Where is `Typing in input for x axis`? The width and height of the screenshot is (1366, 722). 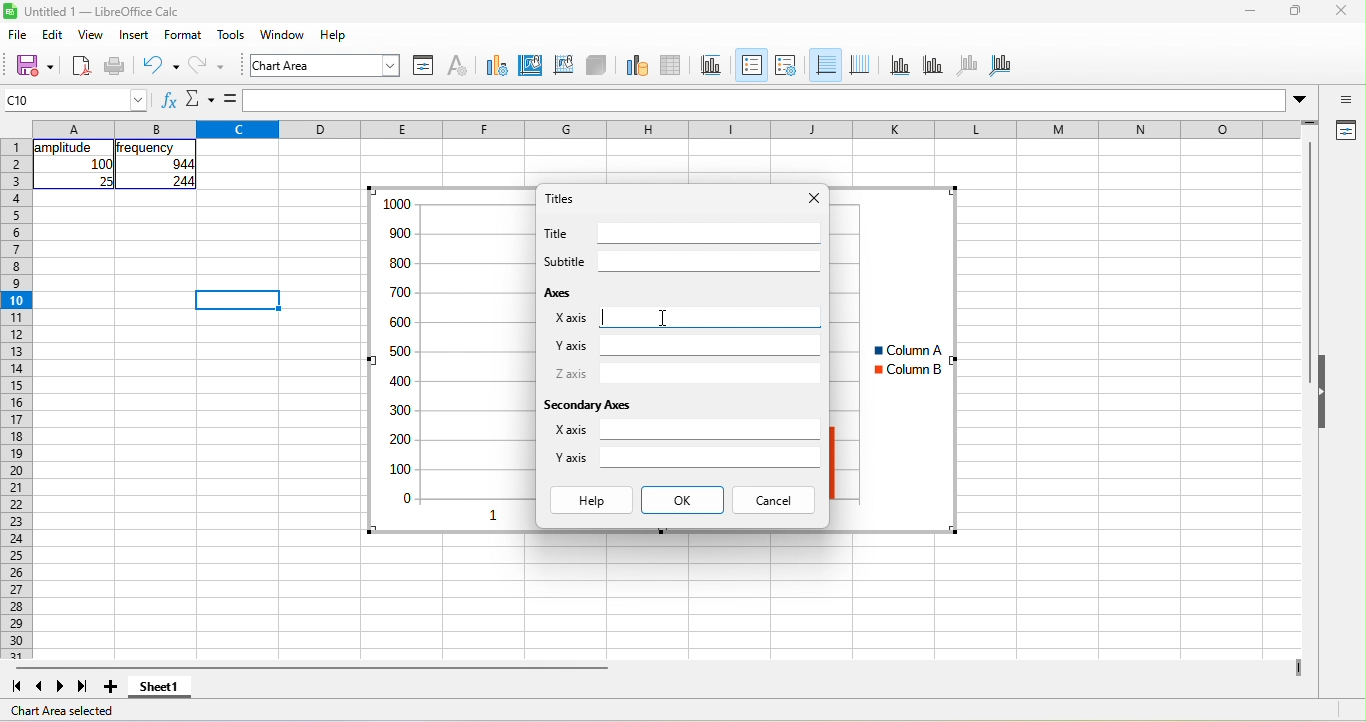
Typing in input for x axis is located at coordinates (710, 317).